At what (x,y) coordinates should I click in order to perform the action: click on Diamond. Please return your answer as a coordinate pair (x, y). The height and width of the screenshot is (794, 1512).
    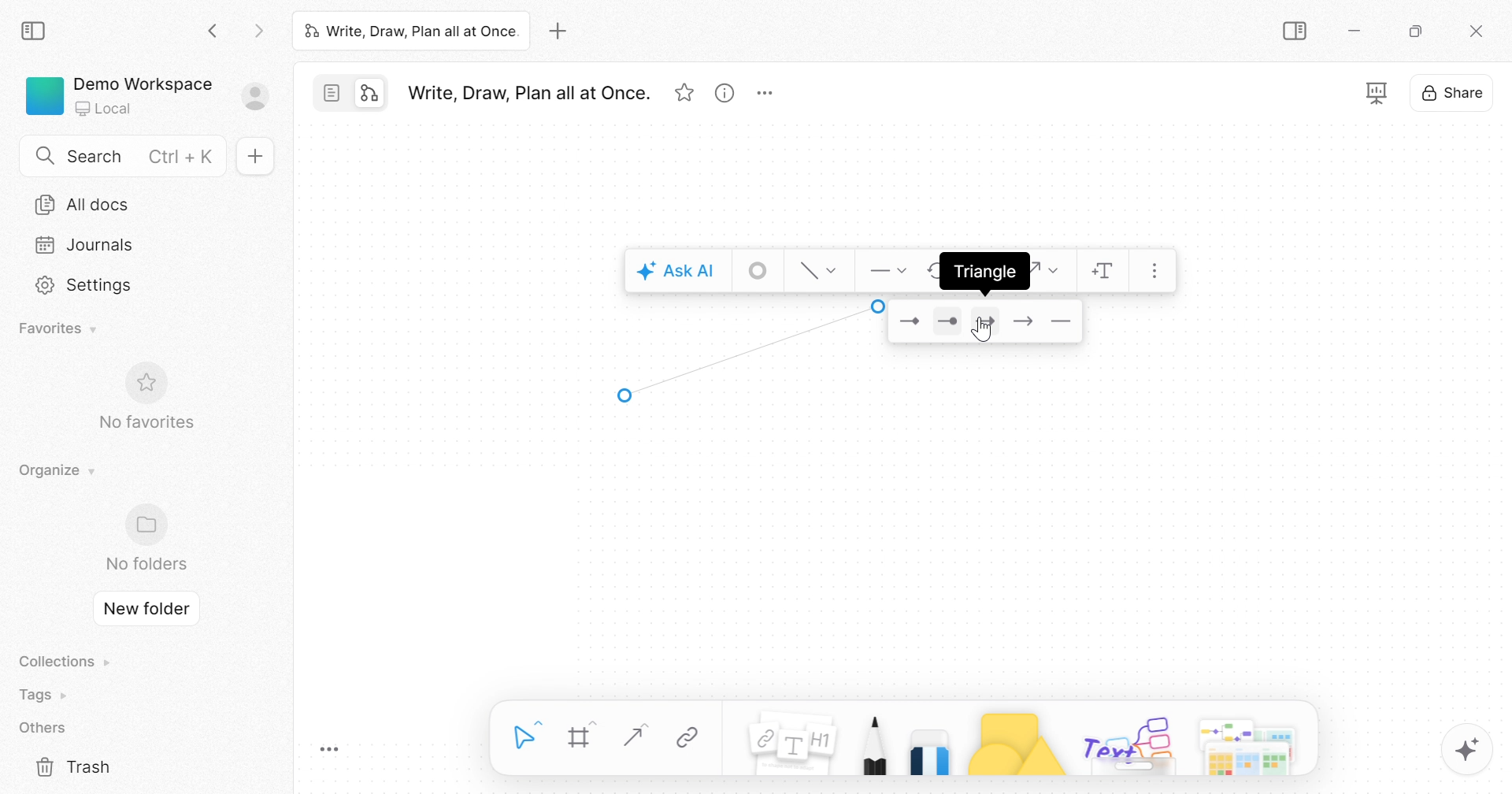
    Looking at the image, I should click on (910, 321).